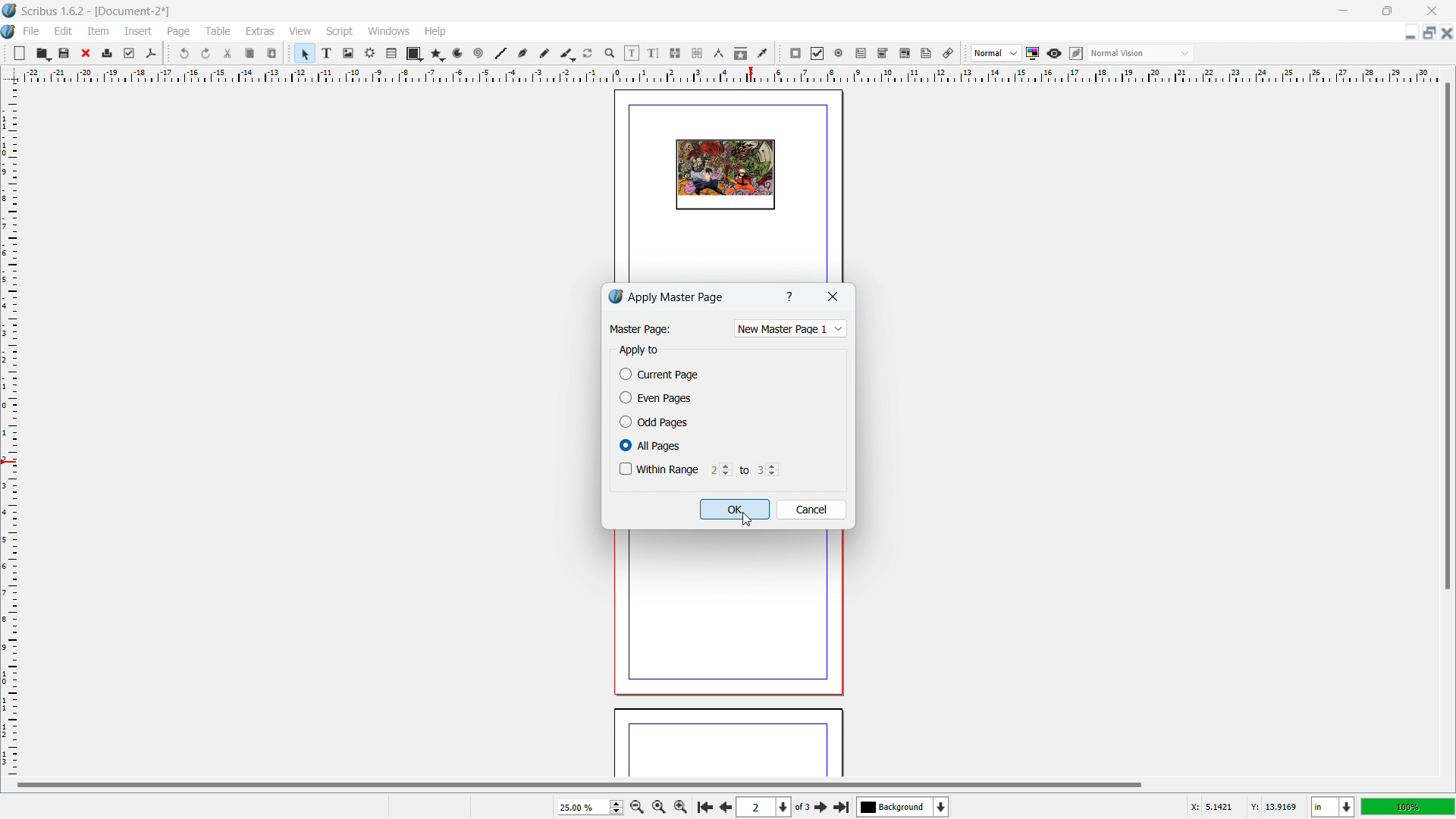 Image resolution: width=1456 pixels, height=819 pixels. Describe the element at coordinates (811, 510) in the screenshot. I see `cancel` at that location.